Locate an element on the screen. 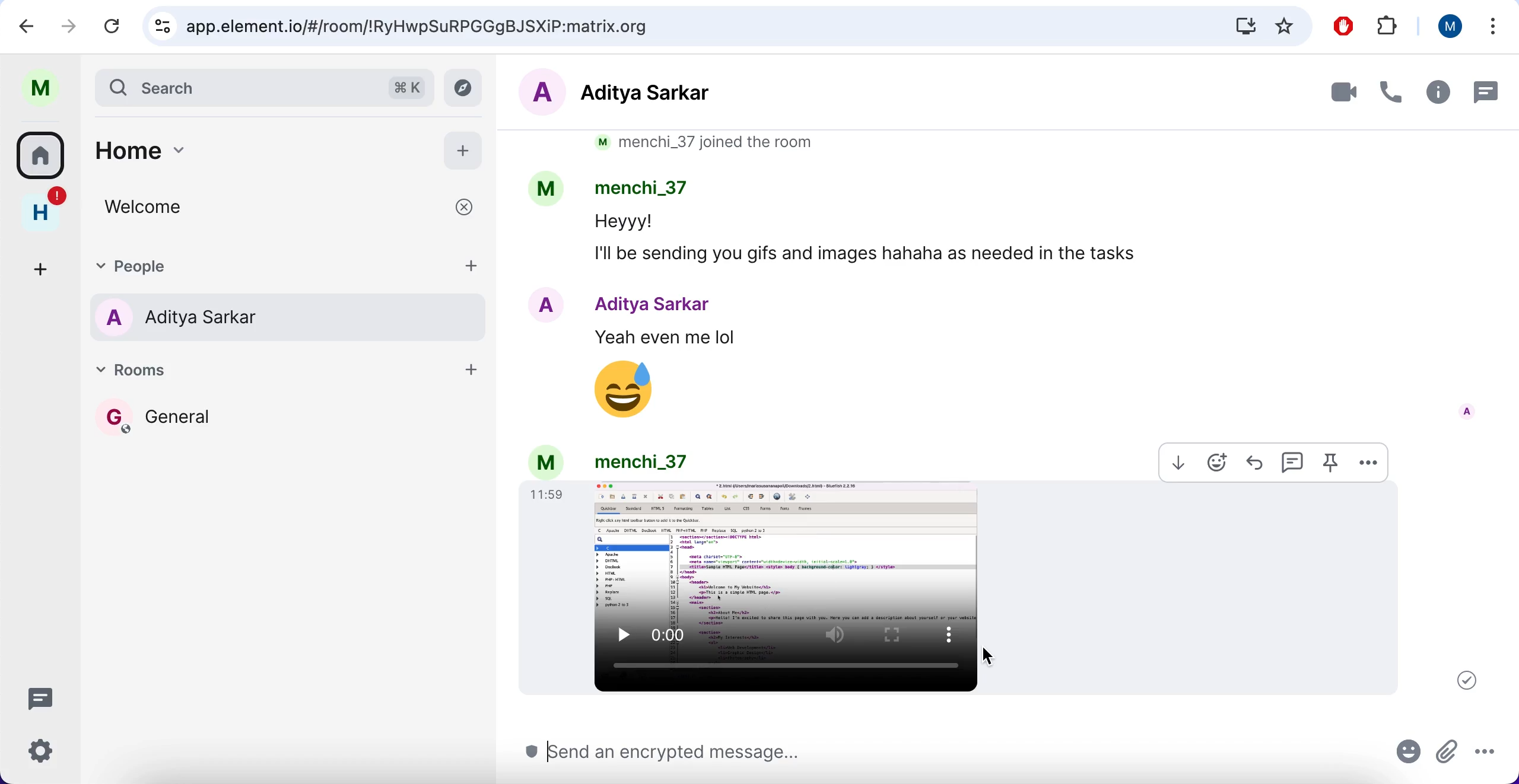 This screenshot has width=1519, height=784. emoji is located at coordinates (1410, 756).